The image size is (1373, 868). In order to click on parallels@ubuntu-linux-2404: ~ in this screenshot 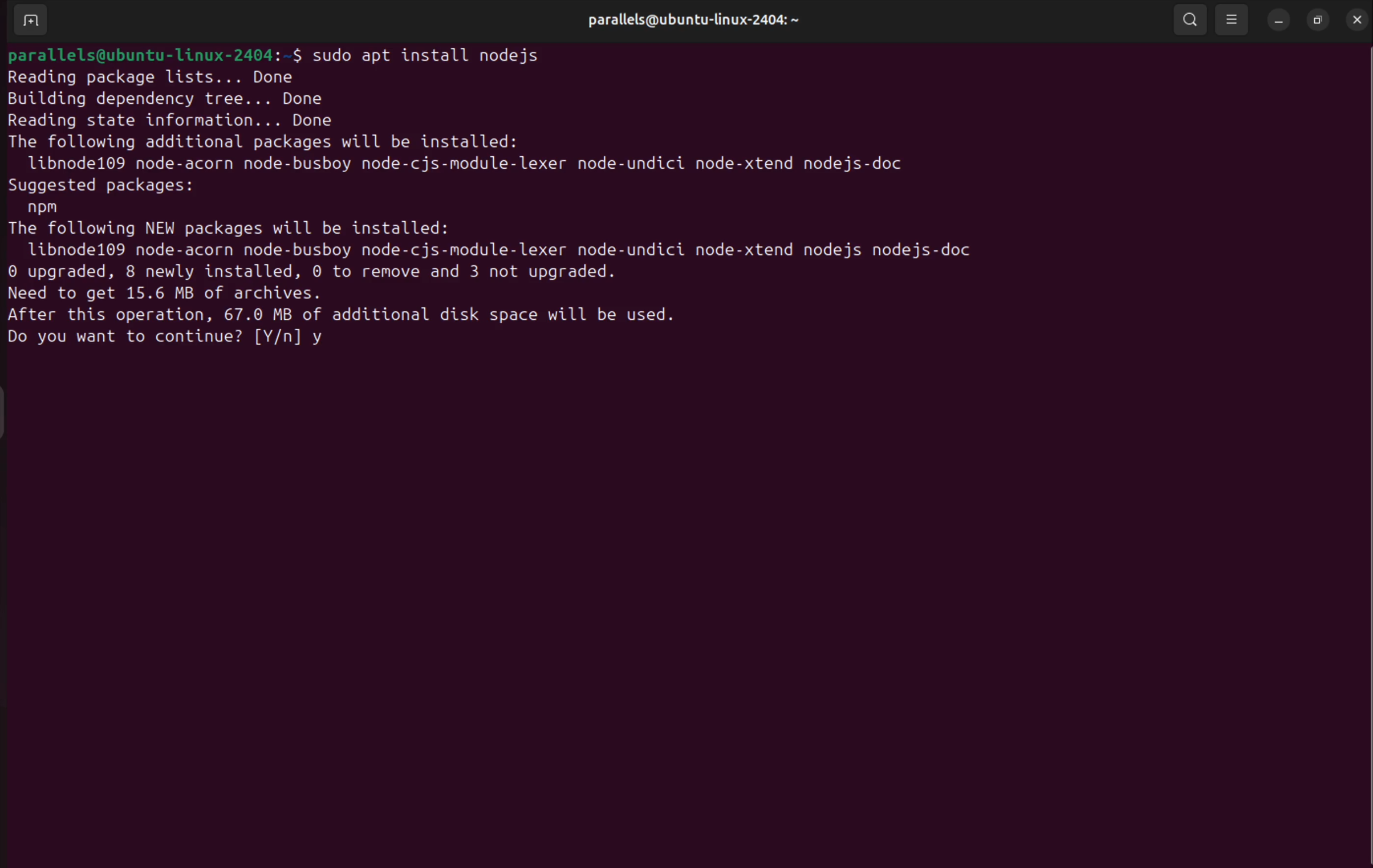, I will do `click(687, 22)`.